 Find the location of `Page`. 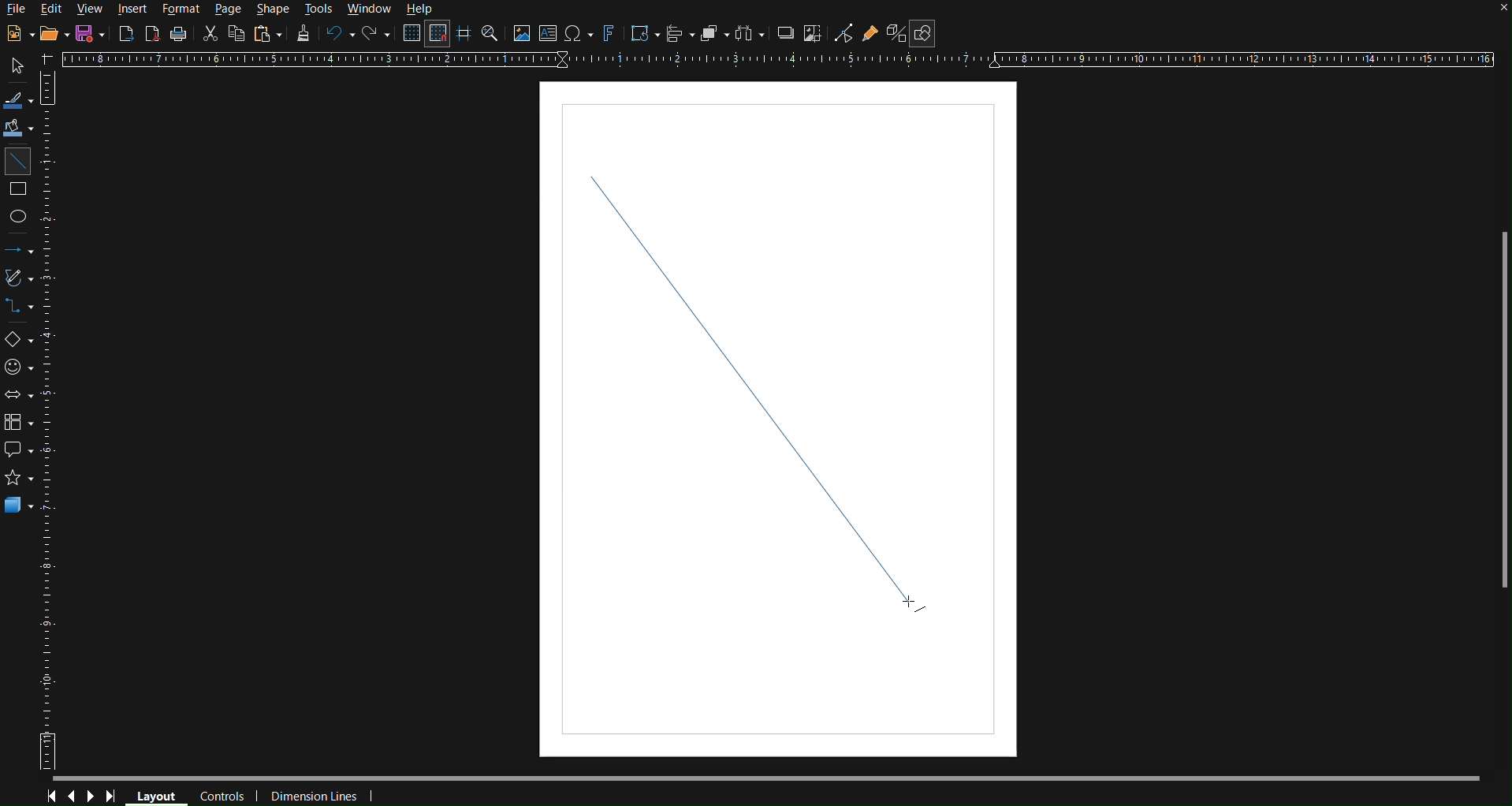

Page is located at coordinates (226, 10).